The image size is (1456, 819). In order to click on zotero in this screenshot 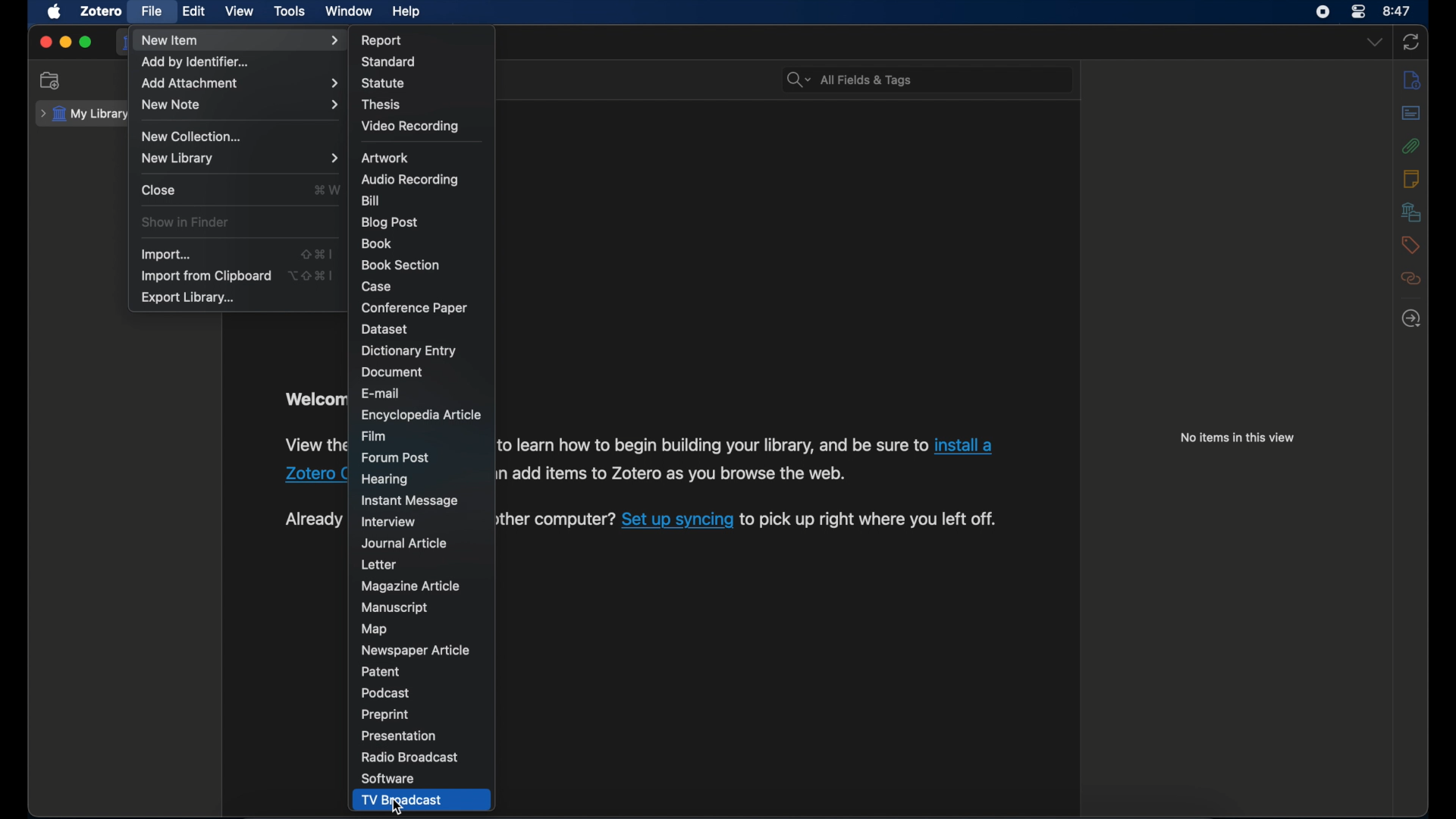, I will do `click(102, 11)`.